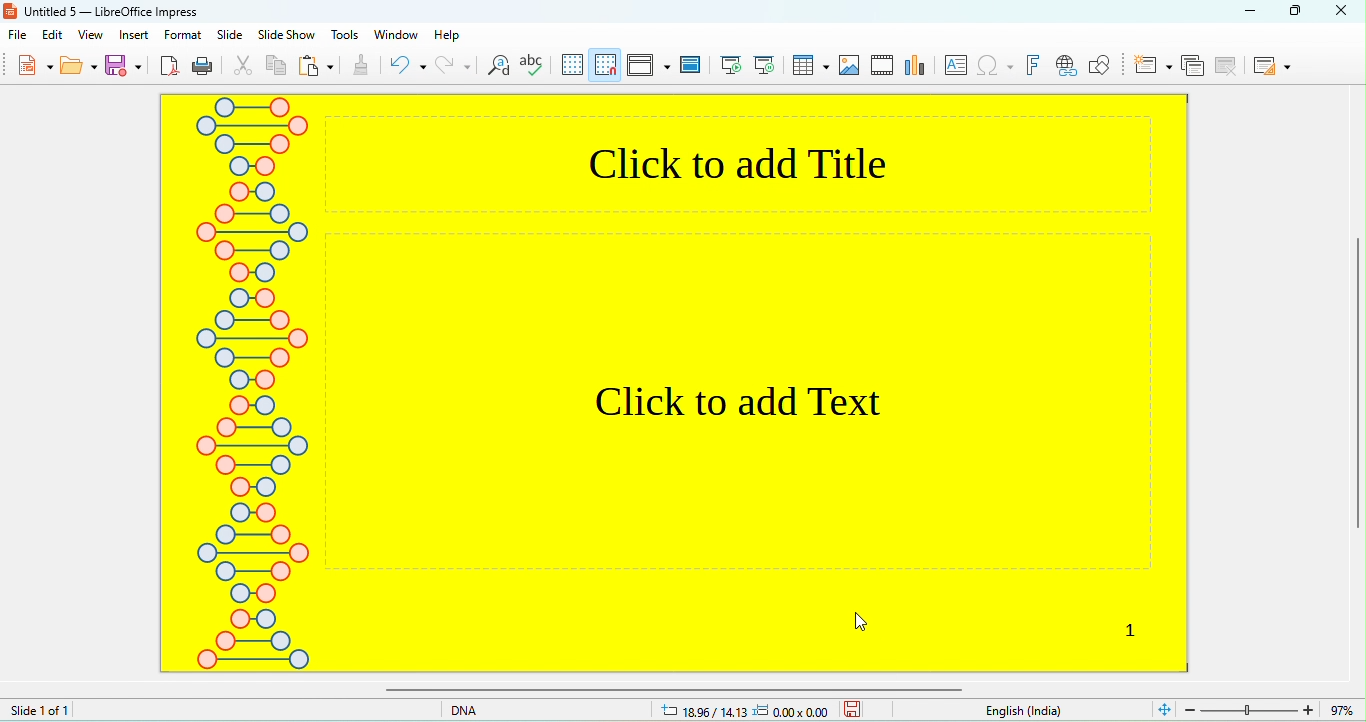 This screenshot has width=1366, height=722. What do you see at coordinates (958, 65) in the screenshot?
I see `text box` at bounding box center [958, 65].